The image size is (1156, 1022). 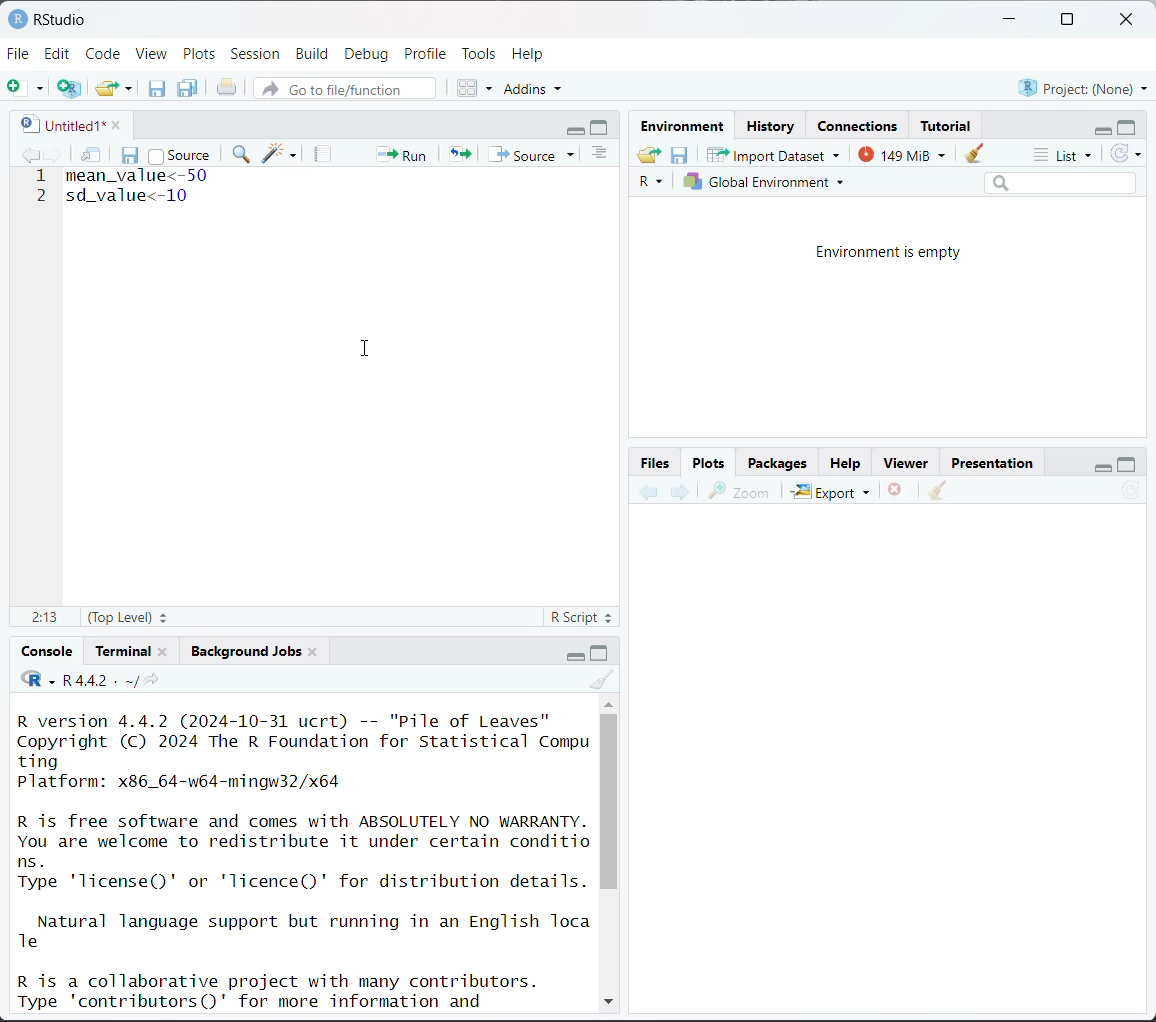 I want to click on Console, so click(x=48, y=651).